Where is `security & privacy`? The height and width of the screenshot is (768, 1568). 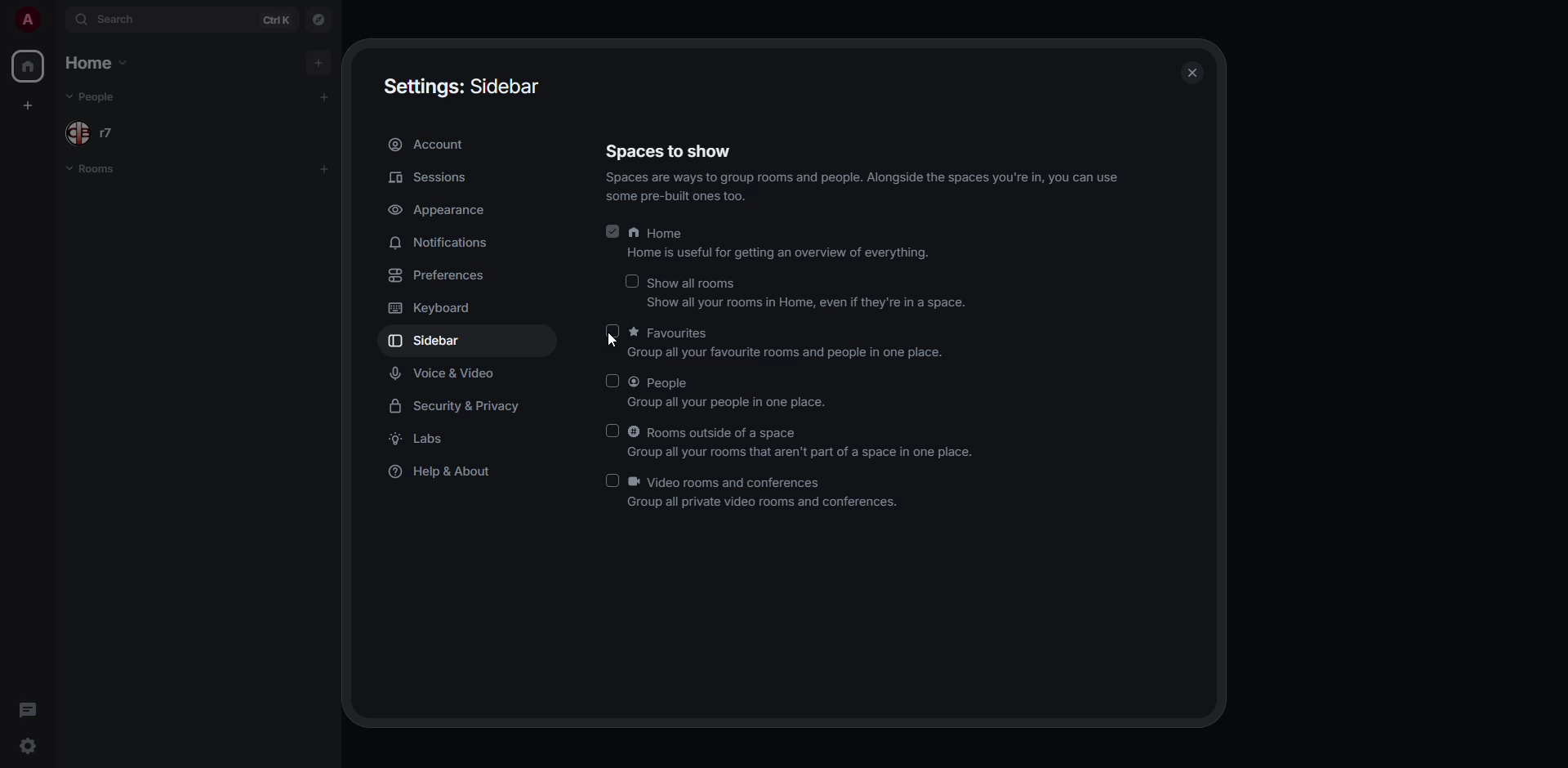 security & privacy is located at coordinates (454, 409).